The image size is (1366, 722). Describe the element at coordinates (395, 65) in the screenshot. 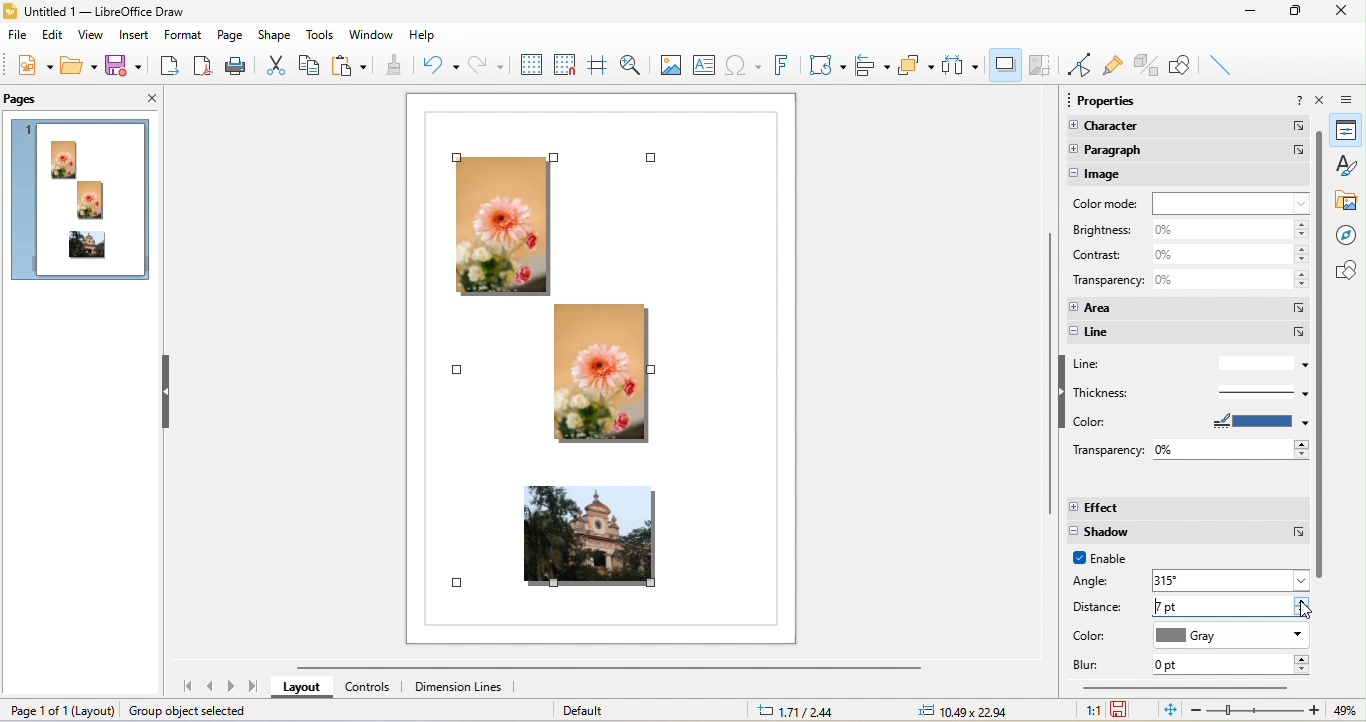

I see `clone formatting` at that location.